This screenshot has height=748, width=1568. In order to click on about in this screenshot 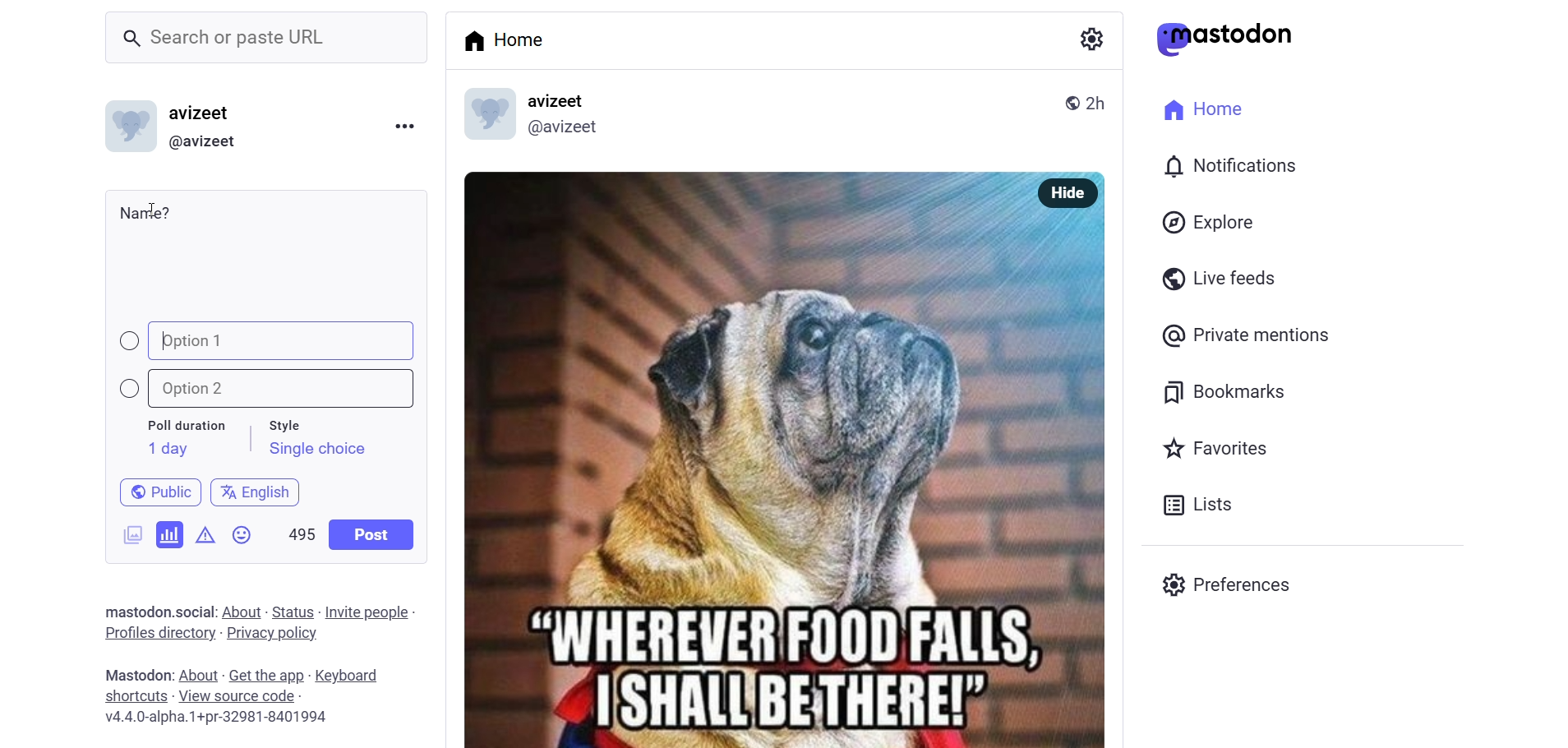, I will do `click(240, 612)`.